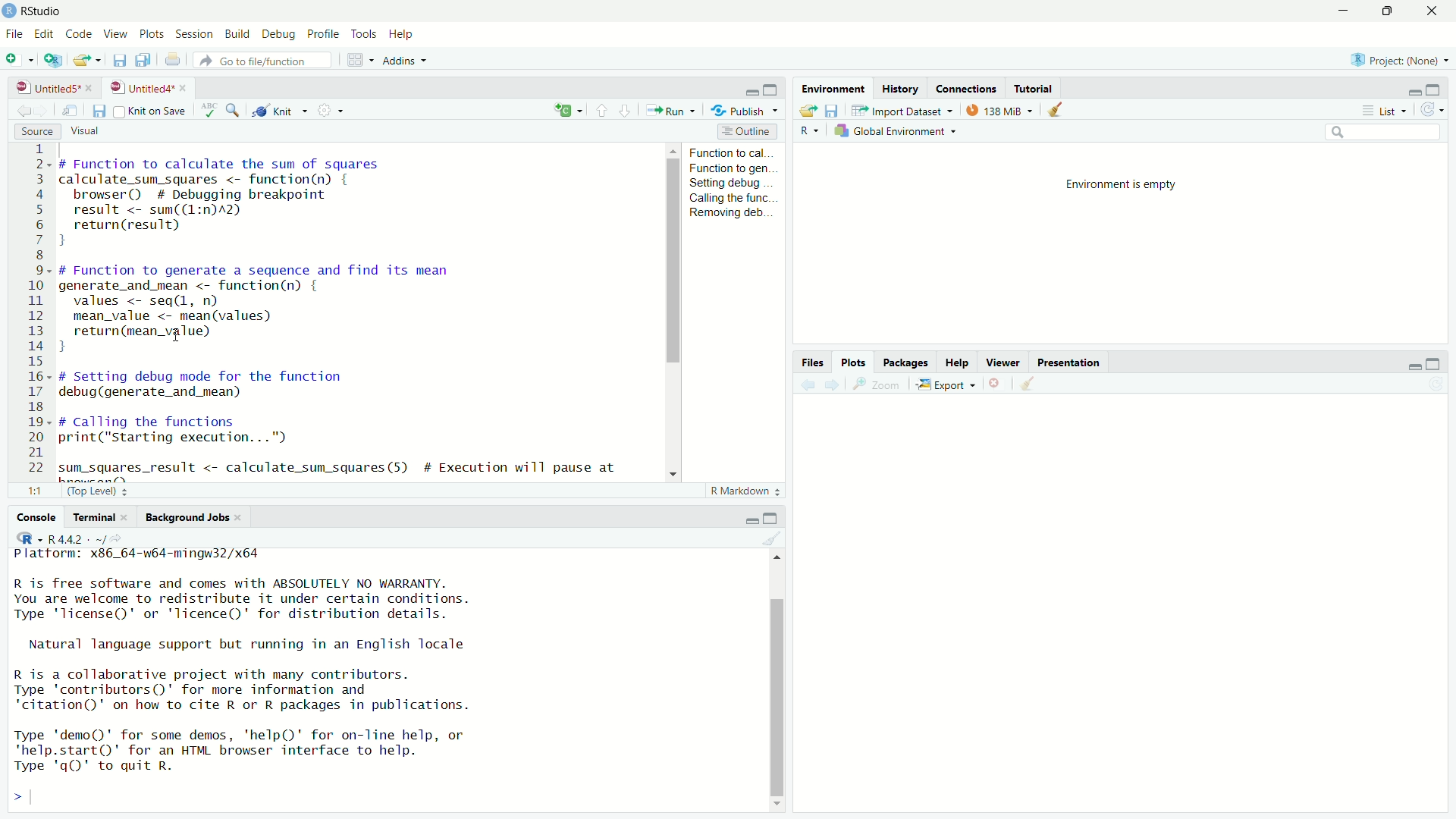 This screenshot has height=819, width=1456. What do you see at coordinates (1072, 359) in the screenshot?
I see `presentation` at bounding box center [1072, 359].